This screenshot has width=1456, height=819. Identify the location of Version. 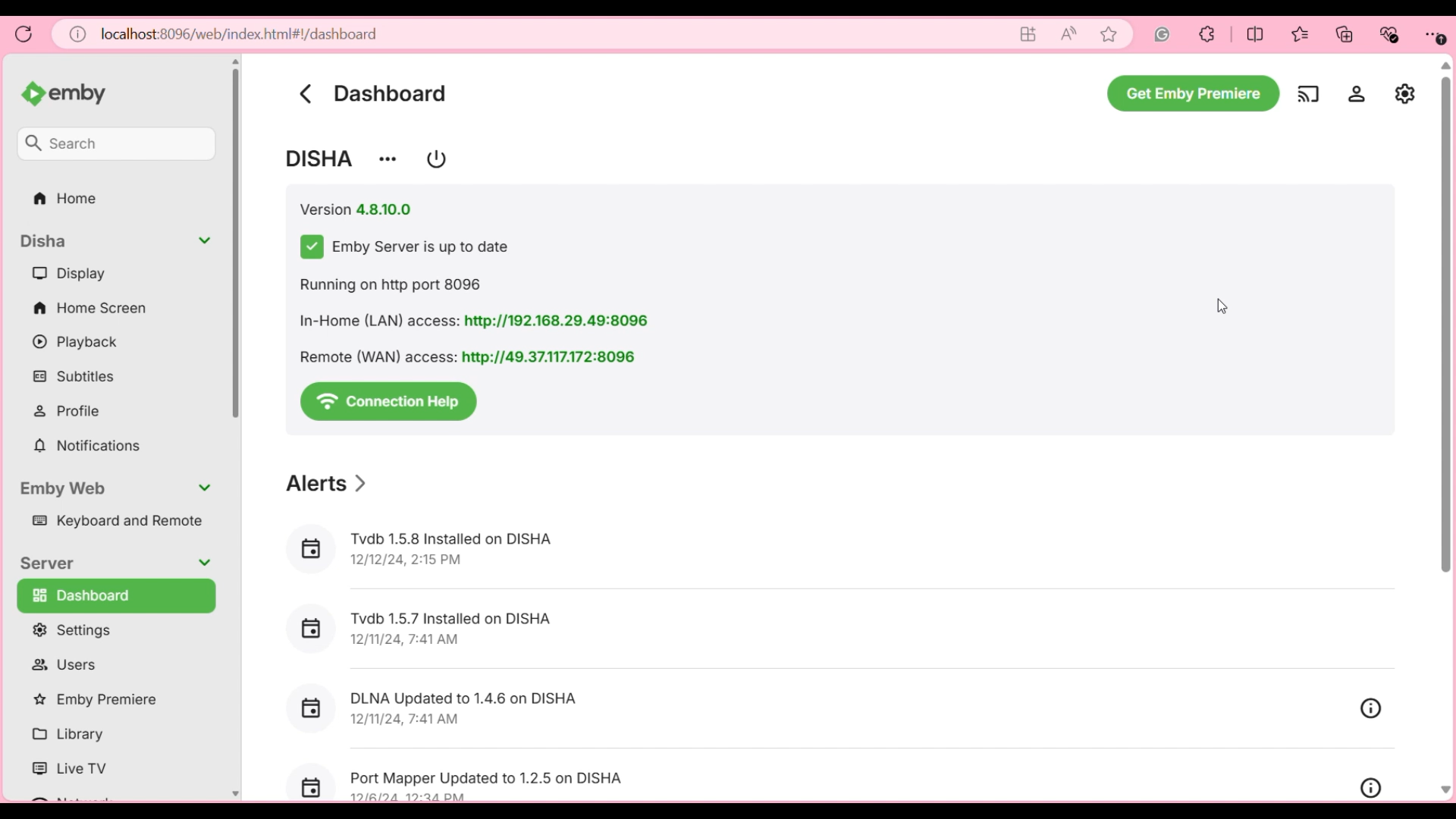
(356, 210).